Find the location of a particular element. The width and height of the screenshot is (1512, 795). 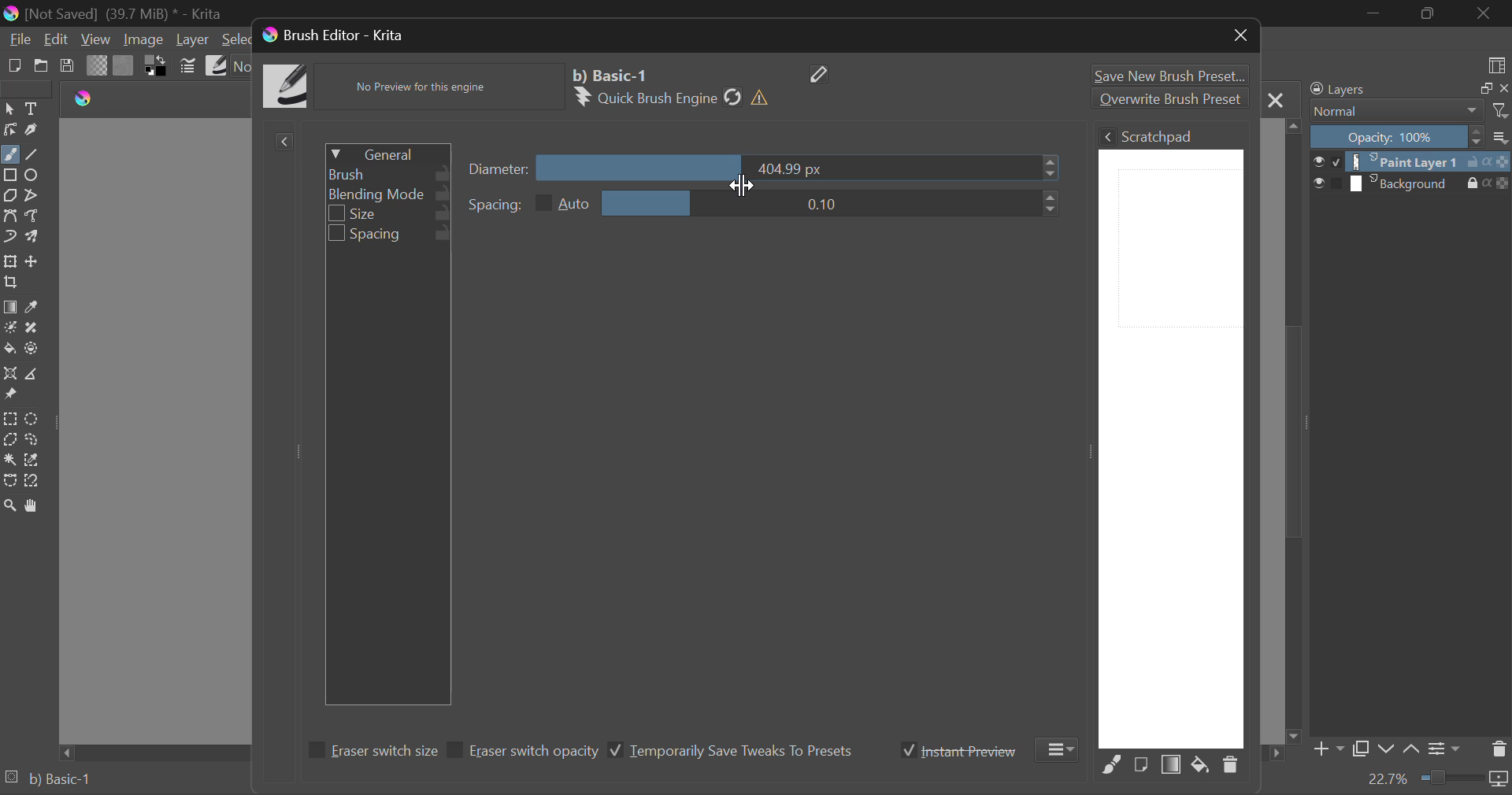

Pan is located at coordinates (35, 505).